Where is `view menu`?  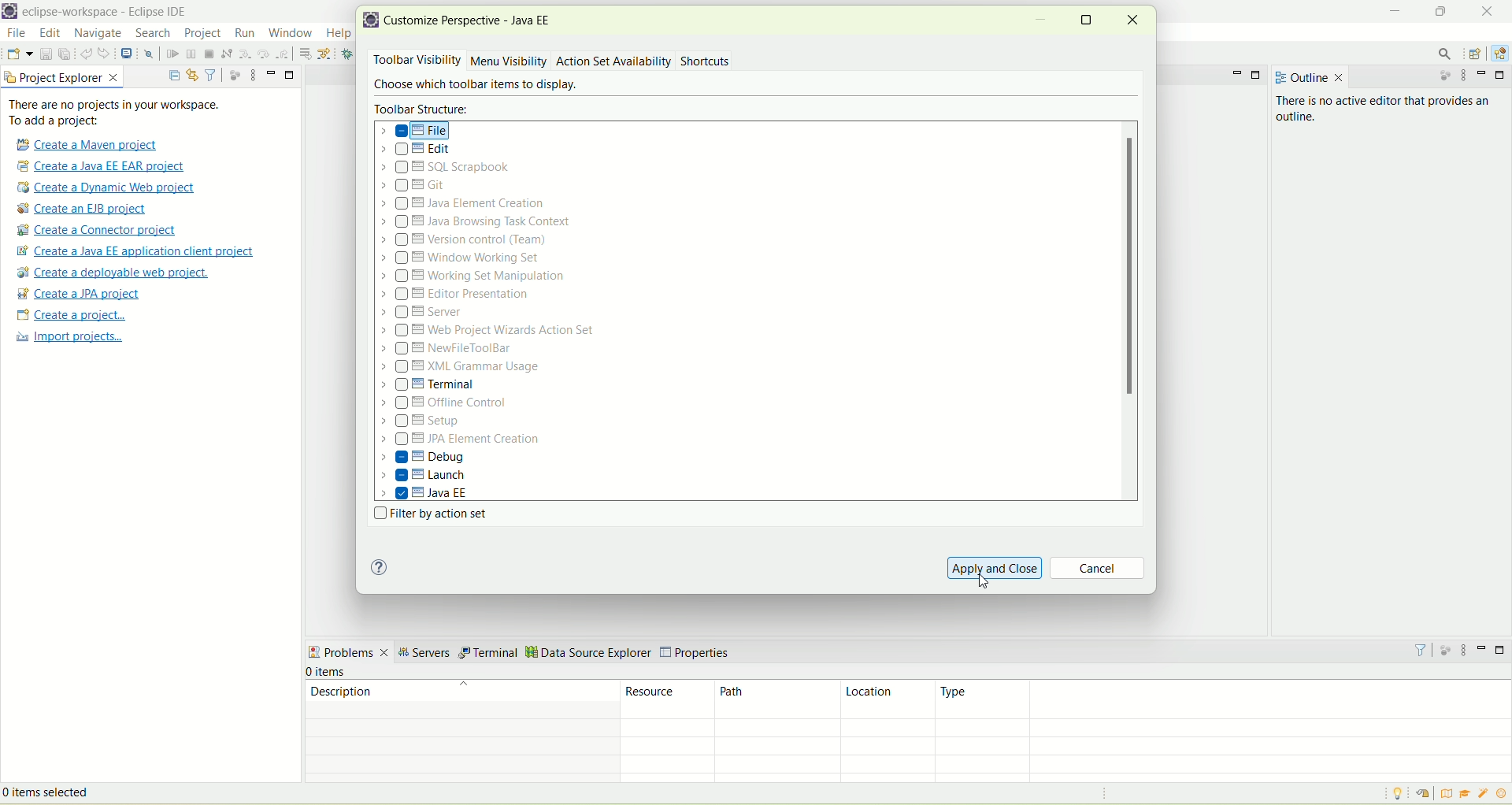
view menu is located at coordinates (1467, 77).